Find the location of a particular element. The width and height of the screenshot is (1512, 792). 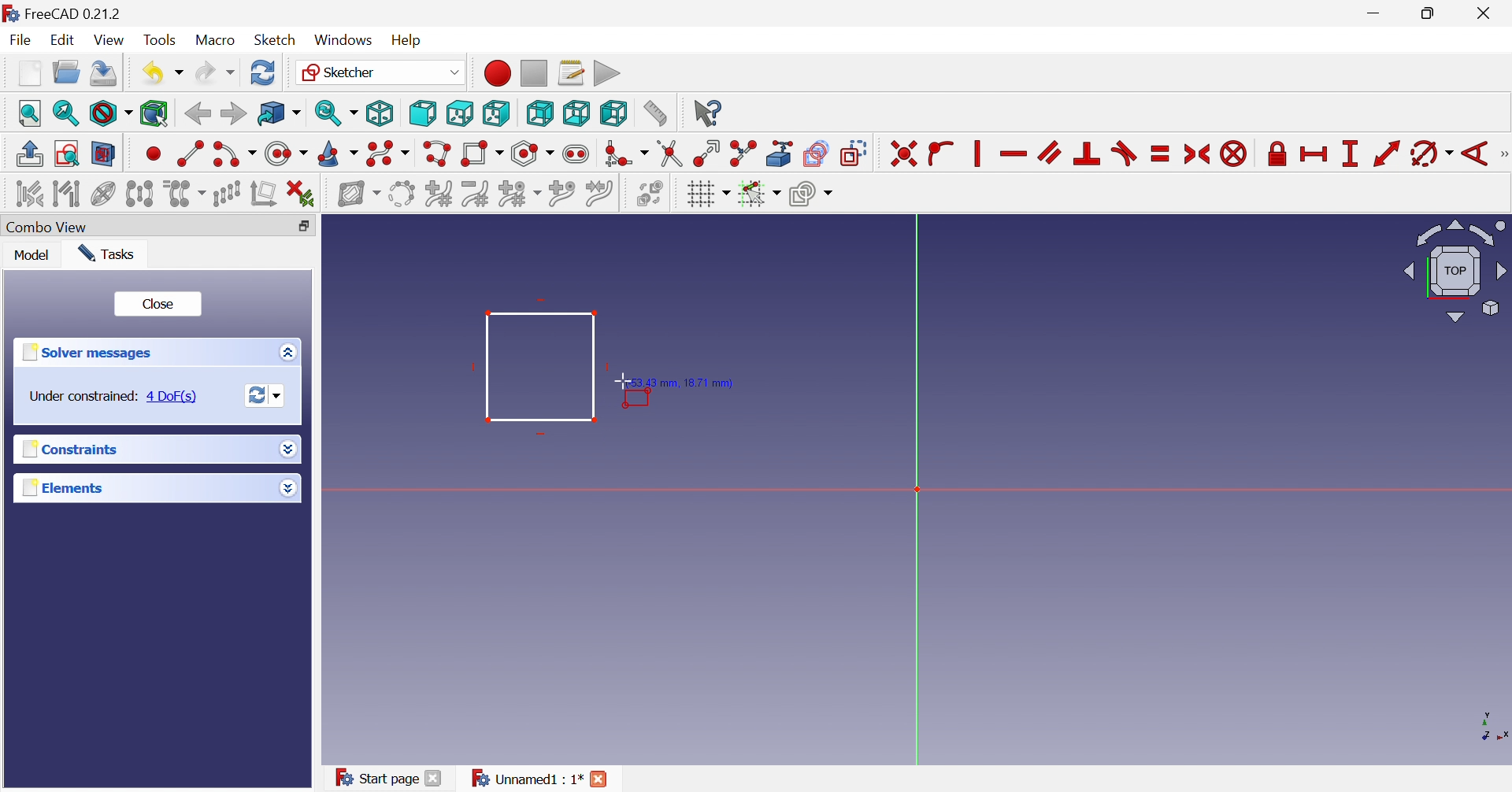

Square is located at coordinates (539, 366).